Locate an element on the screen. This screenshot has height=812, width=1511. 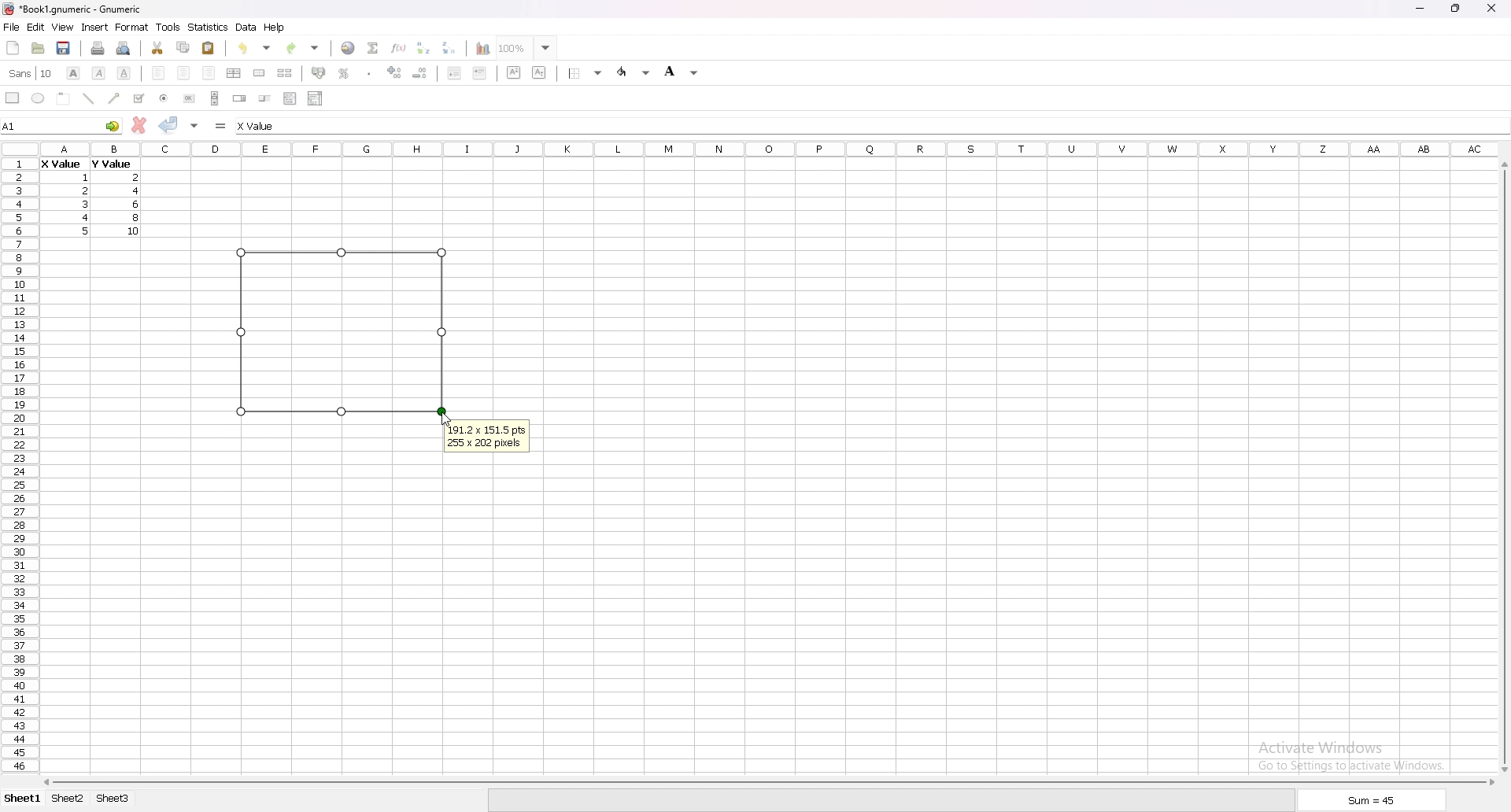
value is located at coordinates (61, 165).